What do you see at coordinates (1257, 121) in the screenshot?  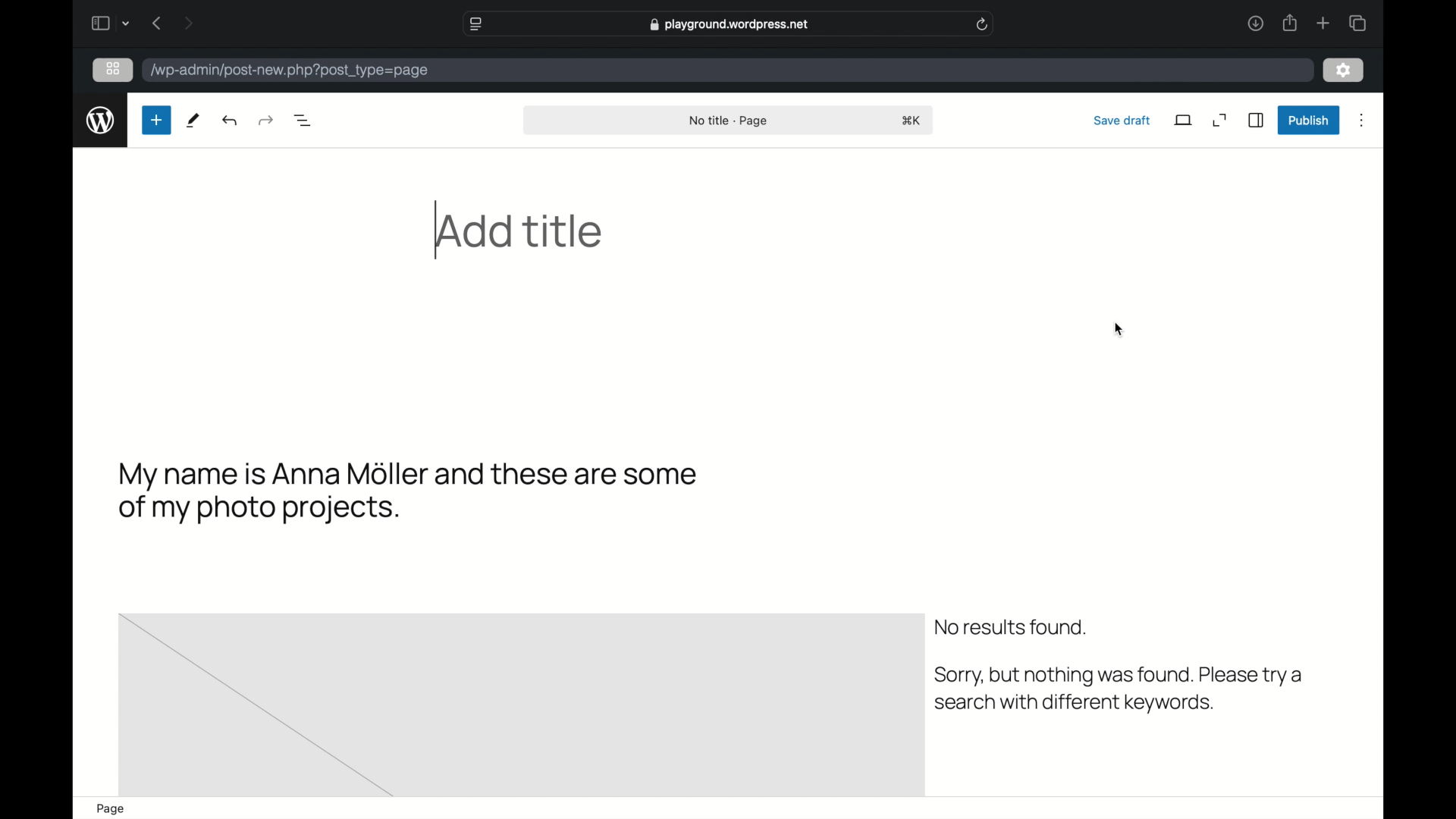 I see `sidebar` at bounding box center [1257, 121].